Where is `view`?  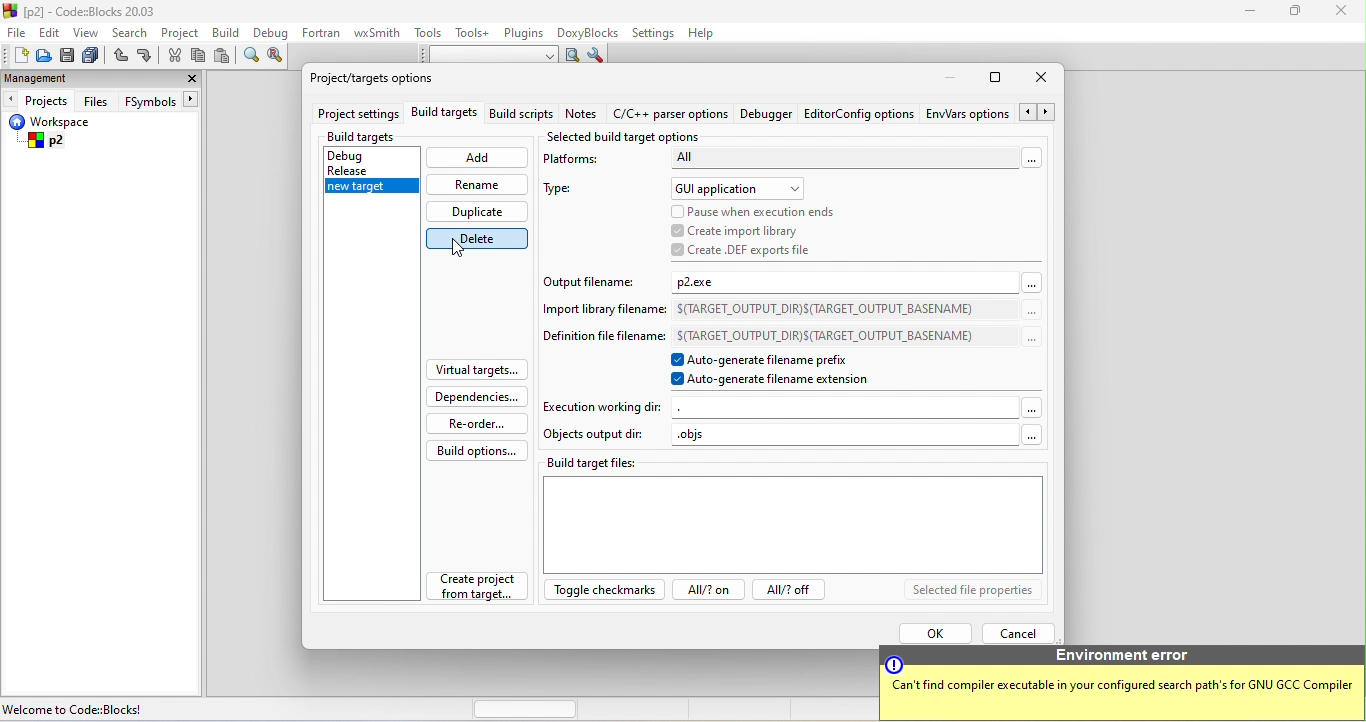
view is located at coordinates (86, 33).